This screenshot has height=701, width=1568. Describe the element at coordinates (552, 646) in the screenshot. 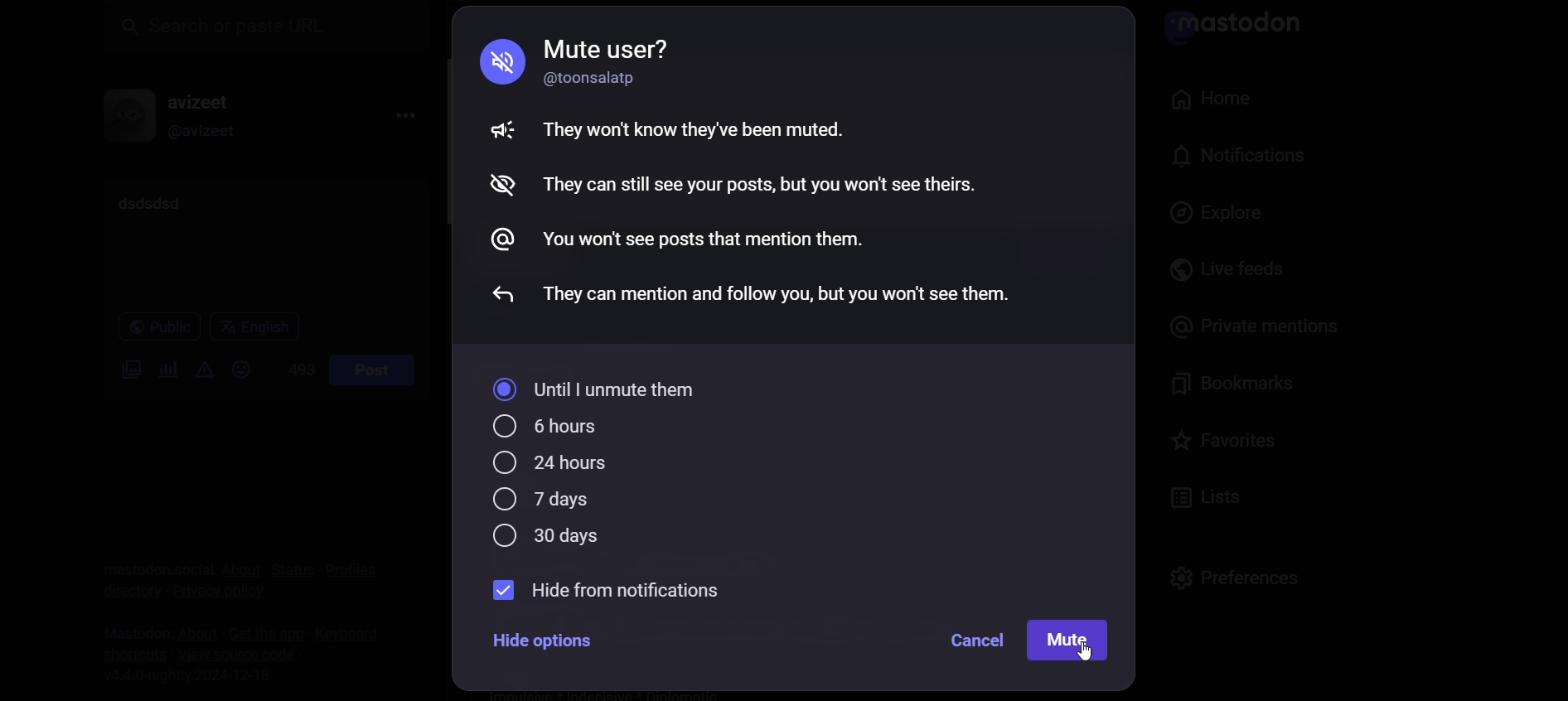

I see `hide option` at that location.